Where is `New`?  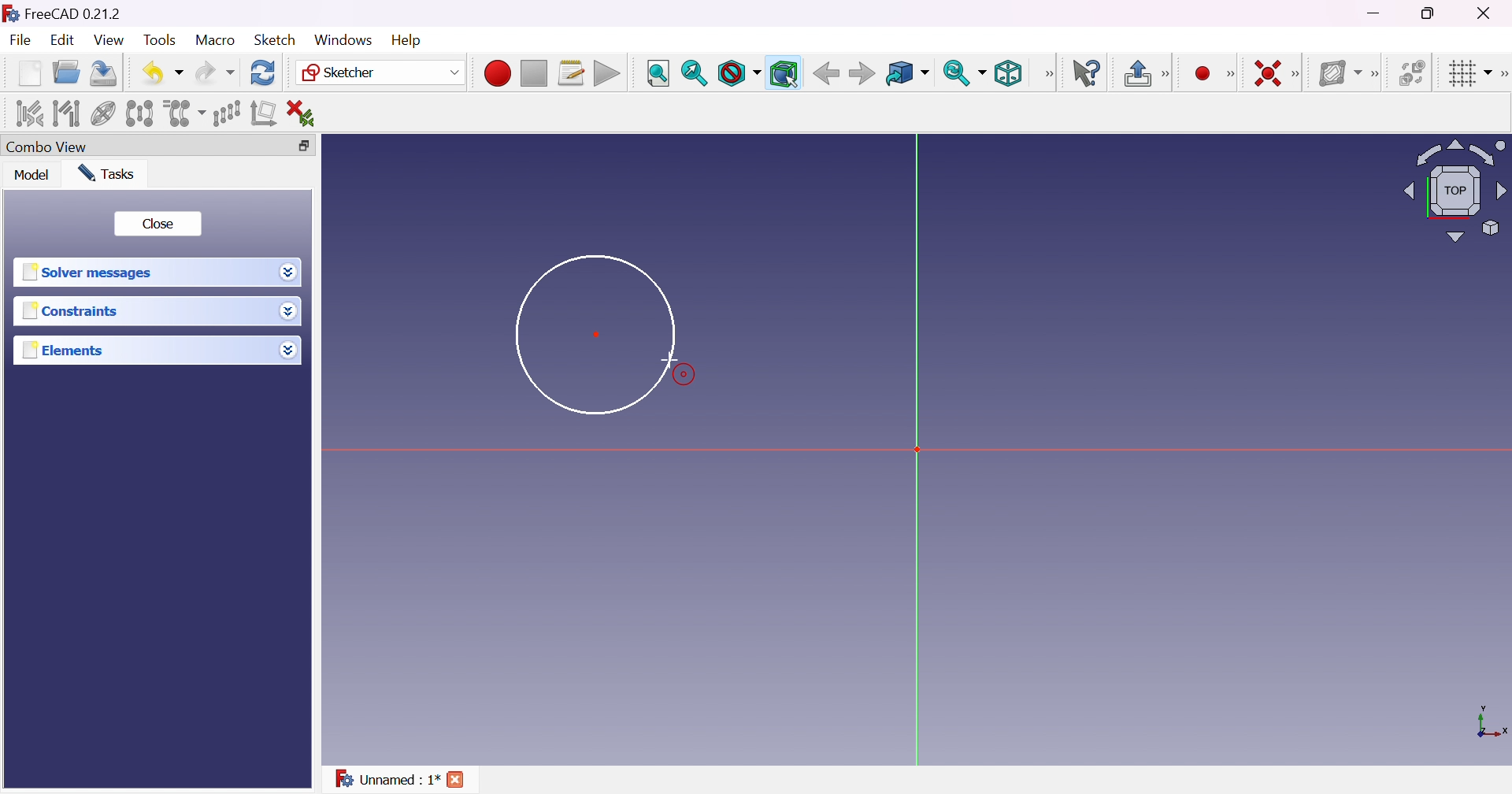
New is located at coordinates (28, 73).